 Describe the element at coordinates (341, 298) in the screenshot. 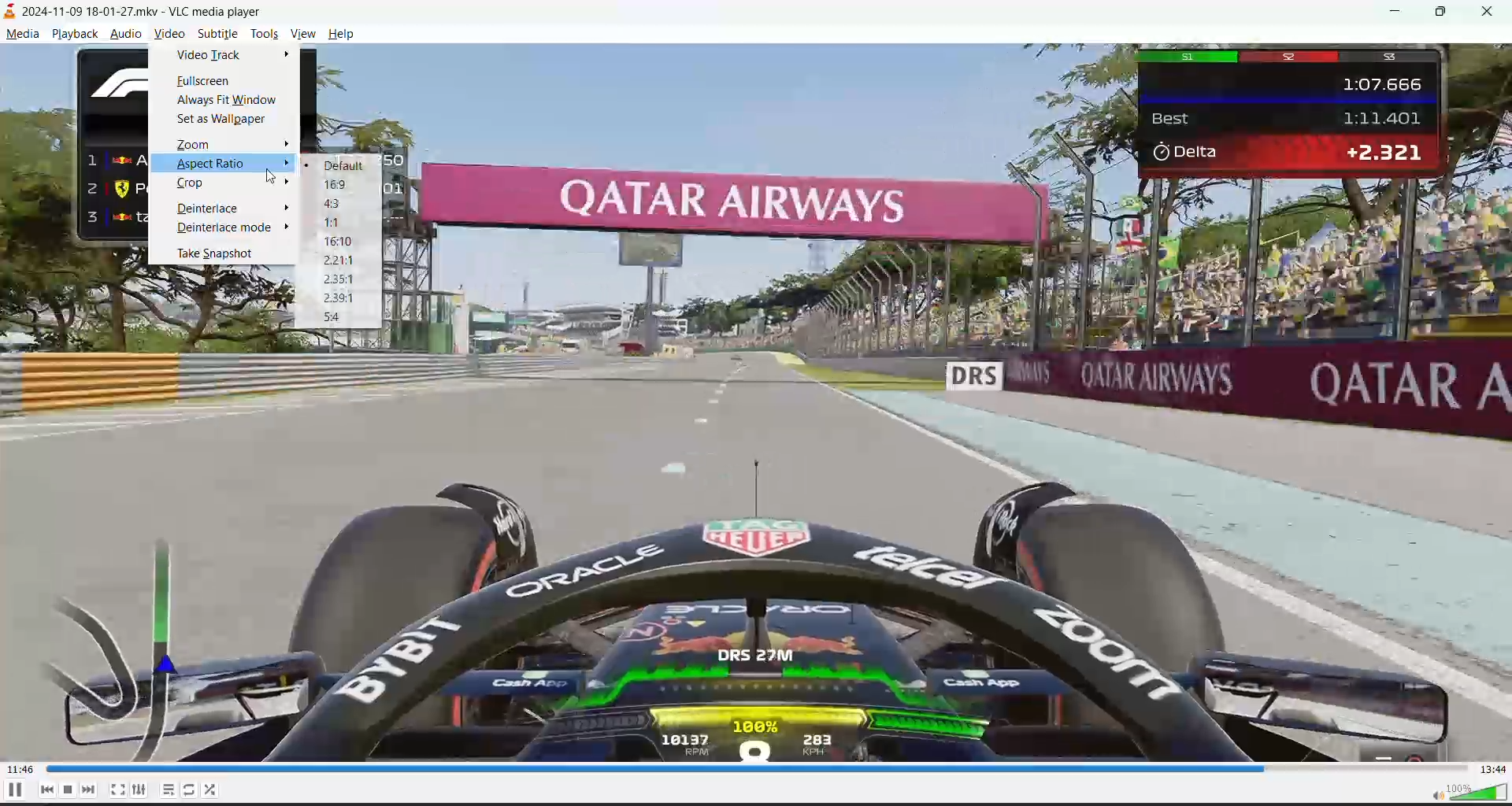

I see `2.39:1` at that location.